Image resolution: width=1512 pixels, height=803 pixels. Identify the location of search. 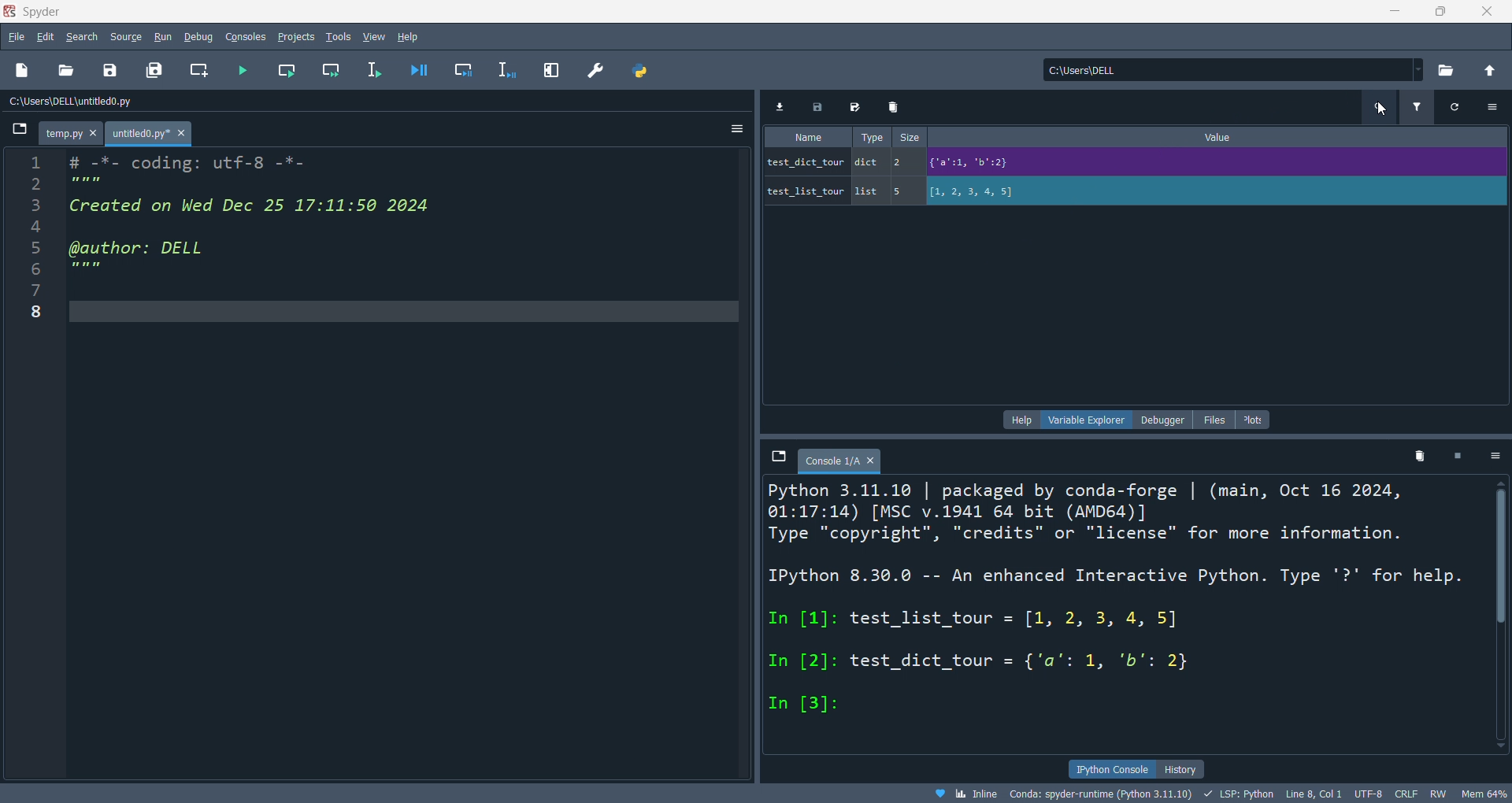
(82, 35).